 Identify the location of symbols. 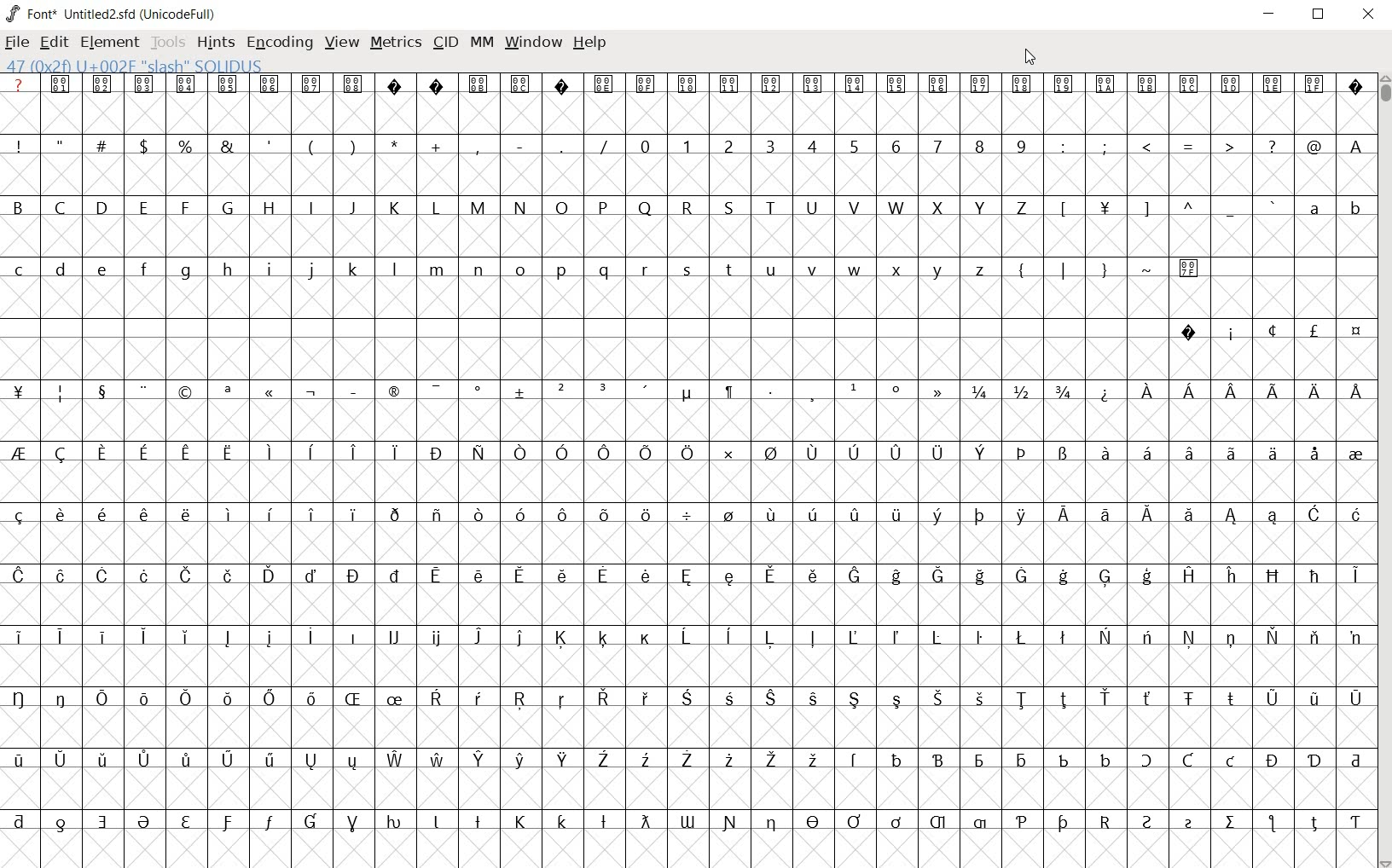
(1163, 208).